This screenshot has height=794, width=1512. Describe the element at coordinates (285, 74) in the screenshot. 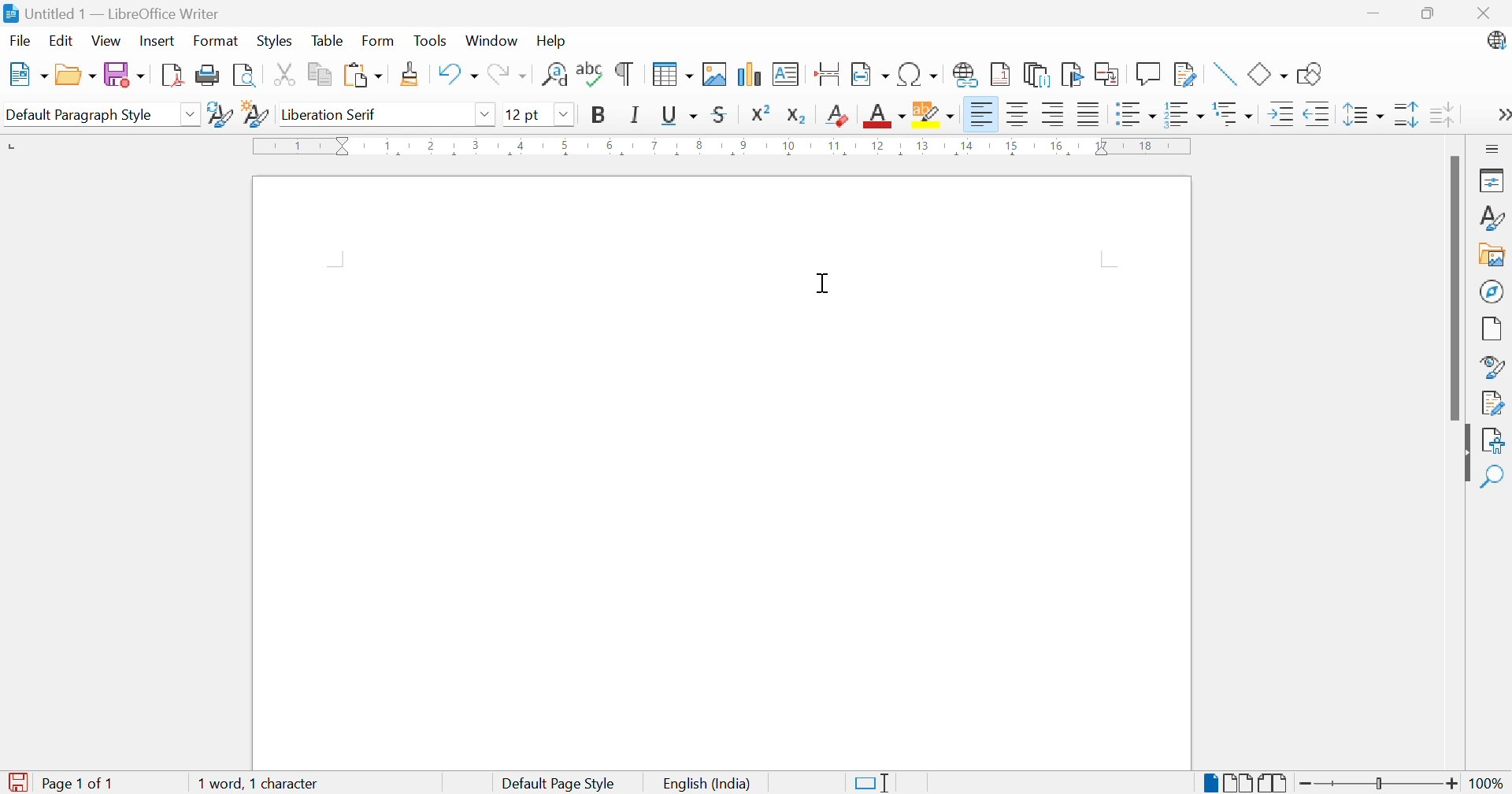

I see `Cut` at that location.